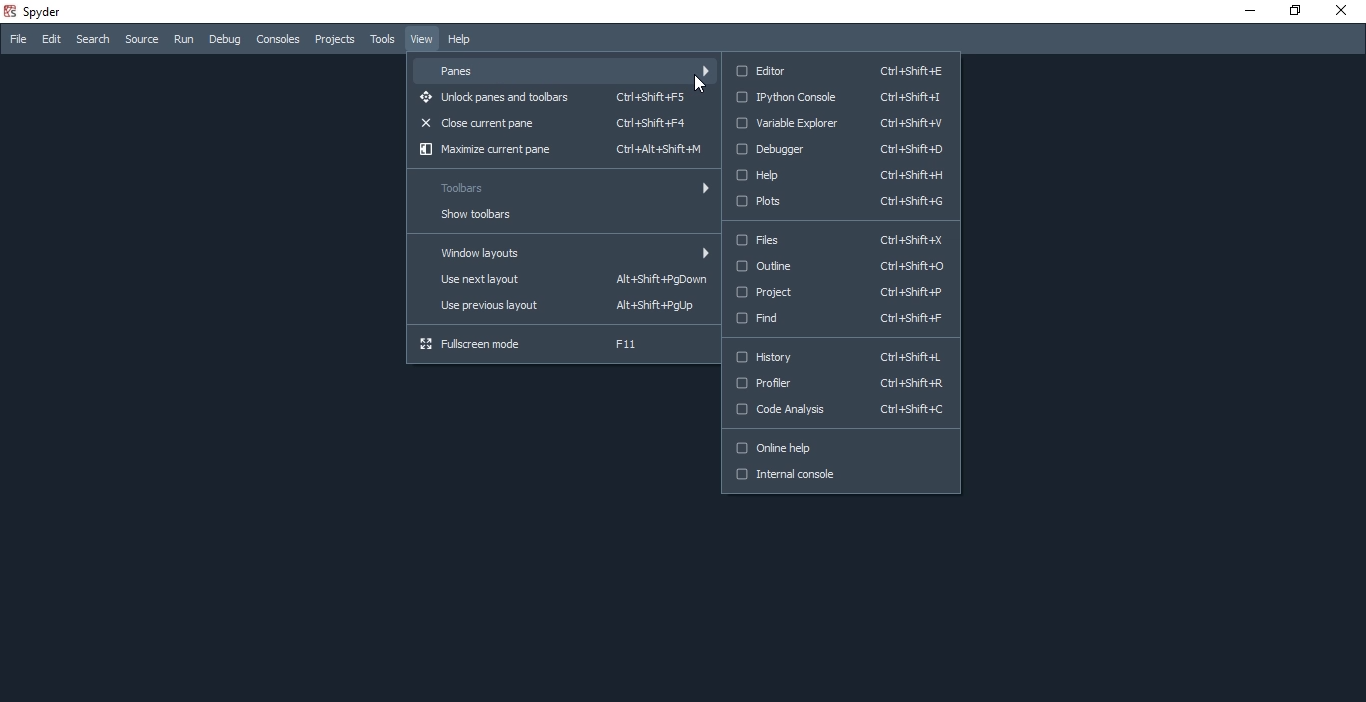 Image resolution: width=1366 pixels, height=702 pixels. What do you see at coordinates (840, 294) in the screenshot?
I see `Project` at bounding box center [840, 294].